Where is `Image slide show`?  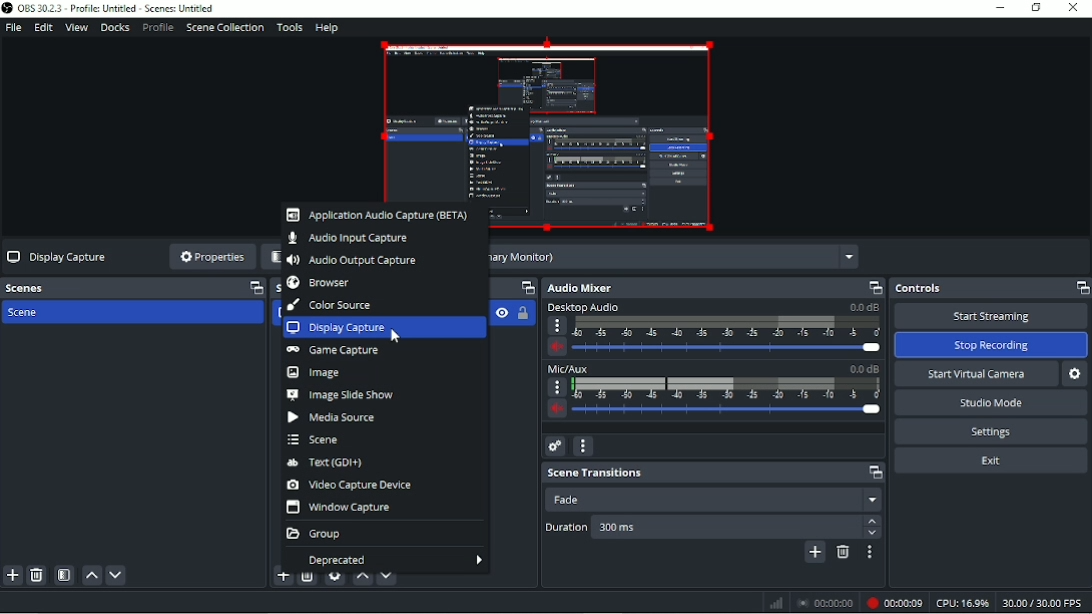
Image slide show is located at coordinates (339, 395).